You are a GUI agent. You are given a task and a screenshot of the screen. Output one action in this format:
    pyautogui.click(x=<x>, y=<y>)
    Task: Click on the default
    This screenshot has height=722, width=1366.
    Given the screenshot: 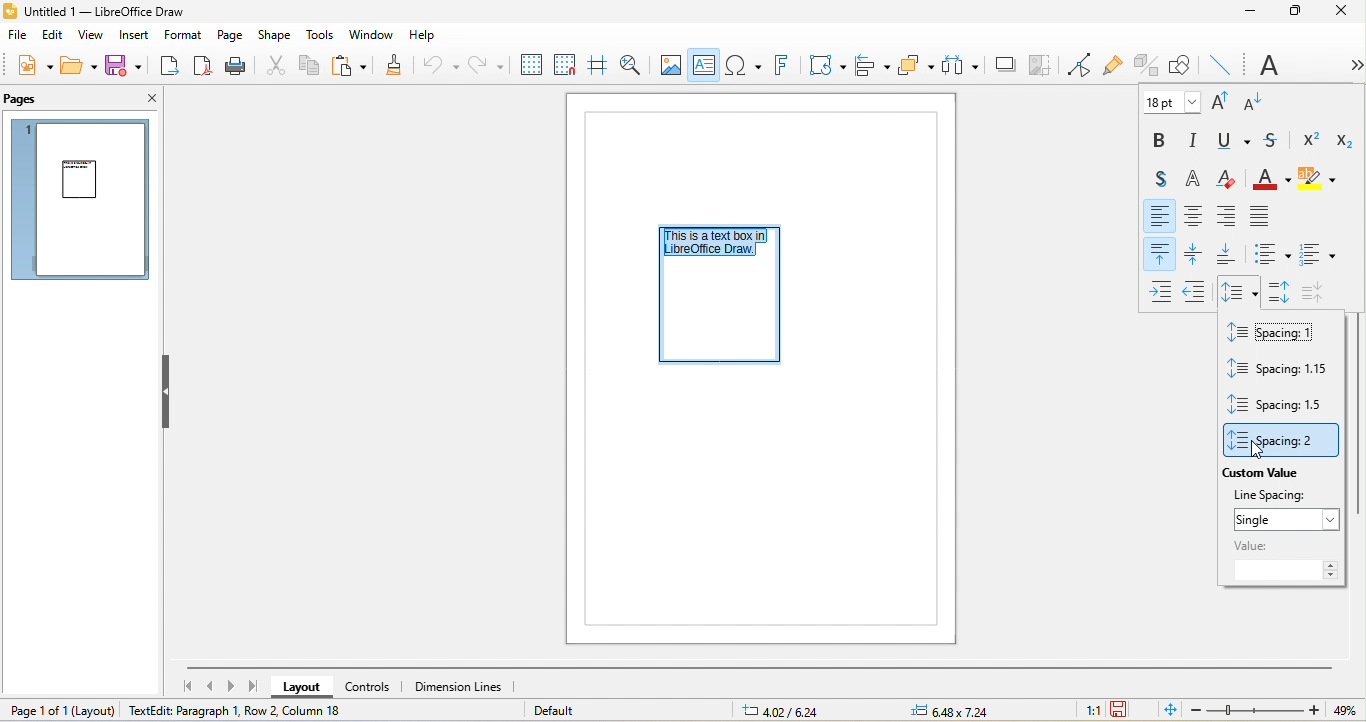 What is the action you would take?
    pyautogui.click(x=564, y=711)
    